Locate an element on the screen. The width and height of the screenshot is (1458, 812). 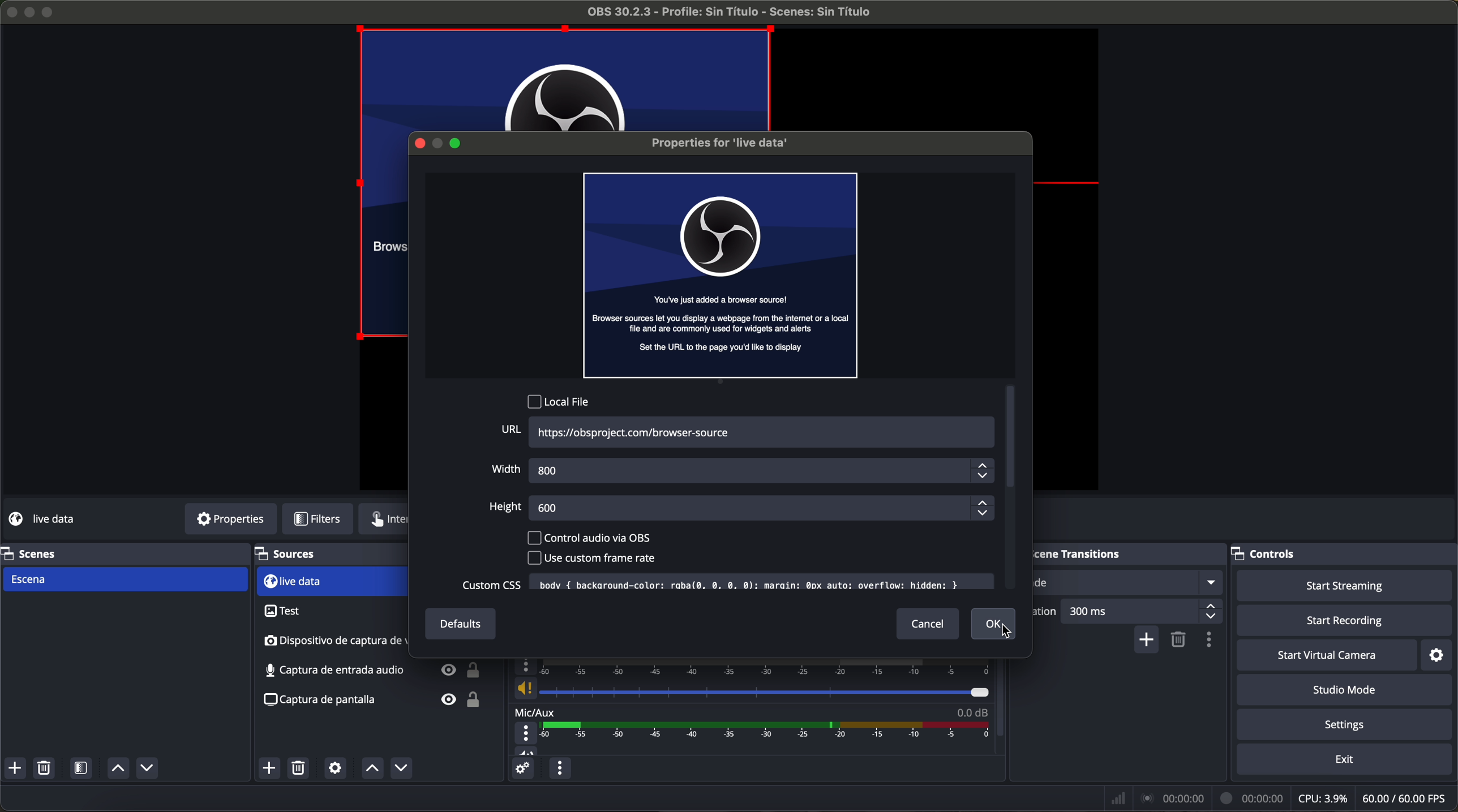
open source properties is located at coordinates (335, 769).